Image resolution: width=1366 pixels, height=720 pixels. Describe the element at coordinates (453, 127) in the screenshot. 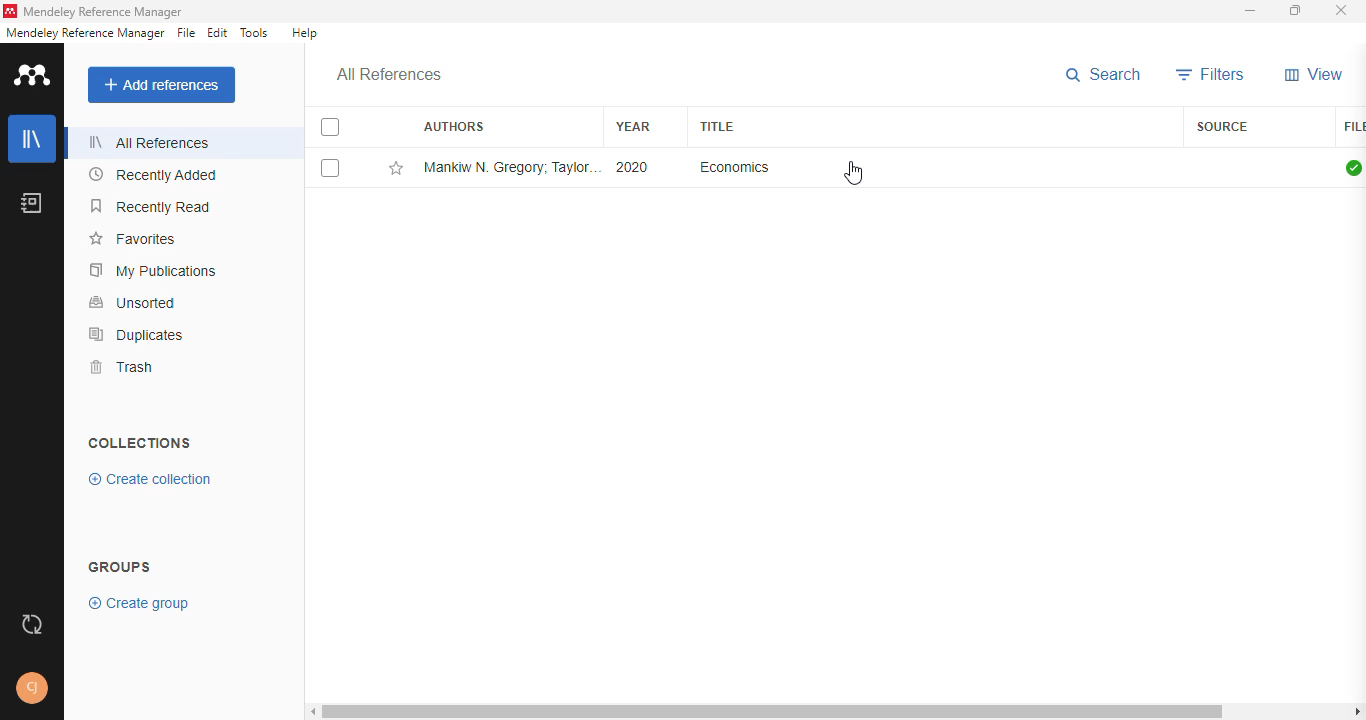

I see `authors` at that location.